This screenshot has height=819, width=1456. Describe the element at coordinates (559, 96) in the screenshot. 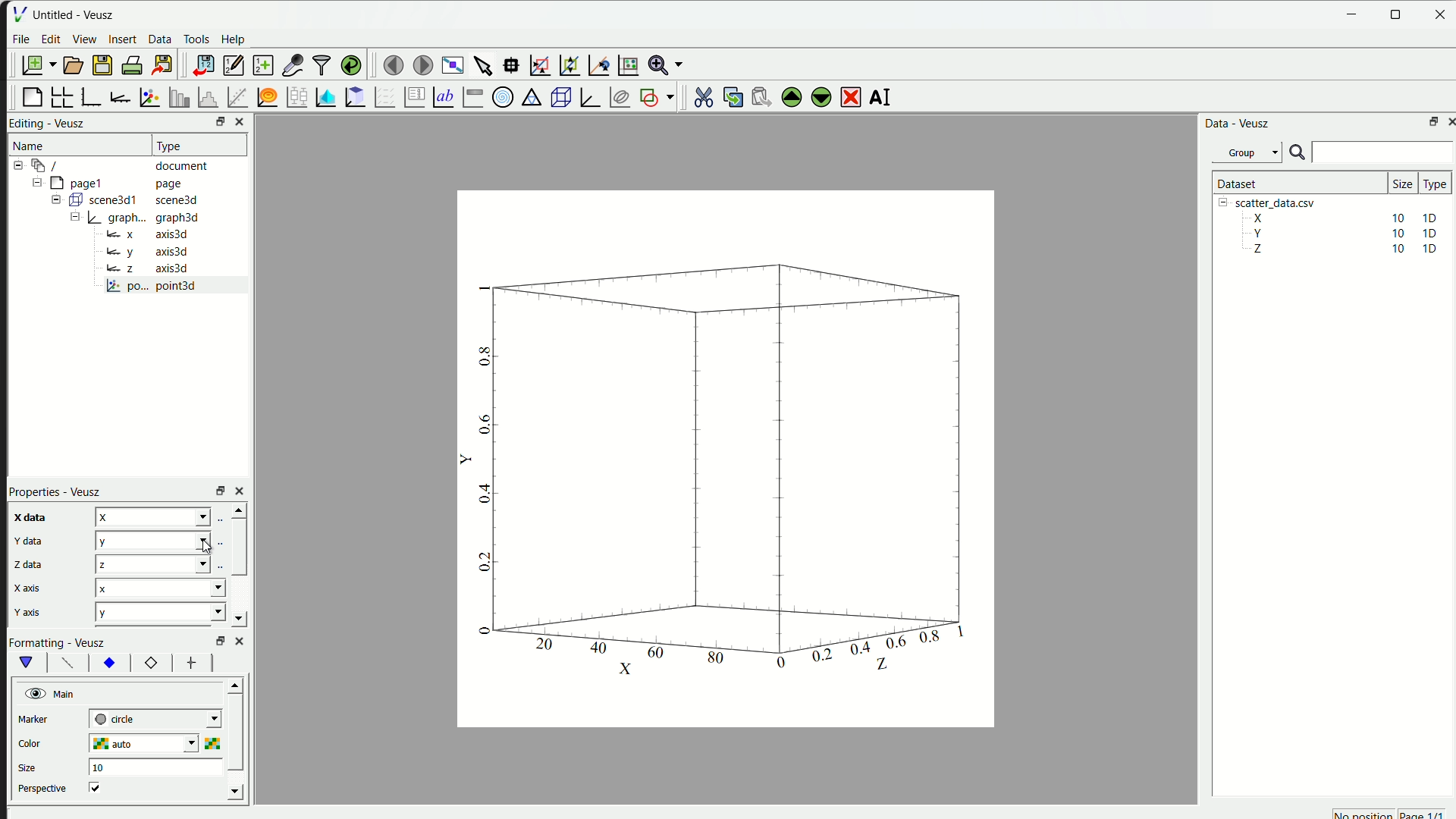

I see `3D scene` at that location.